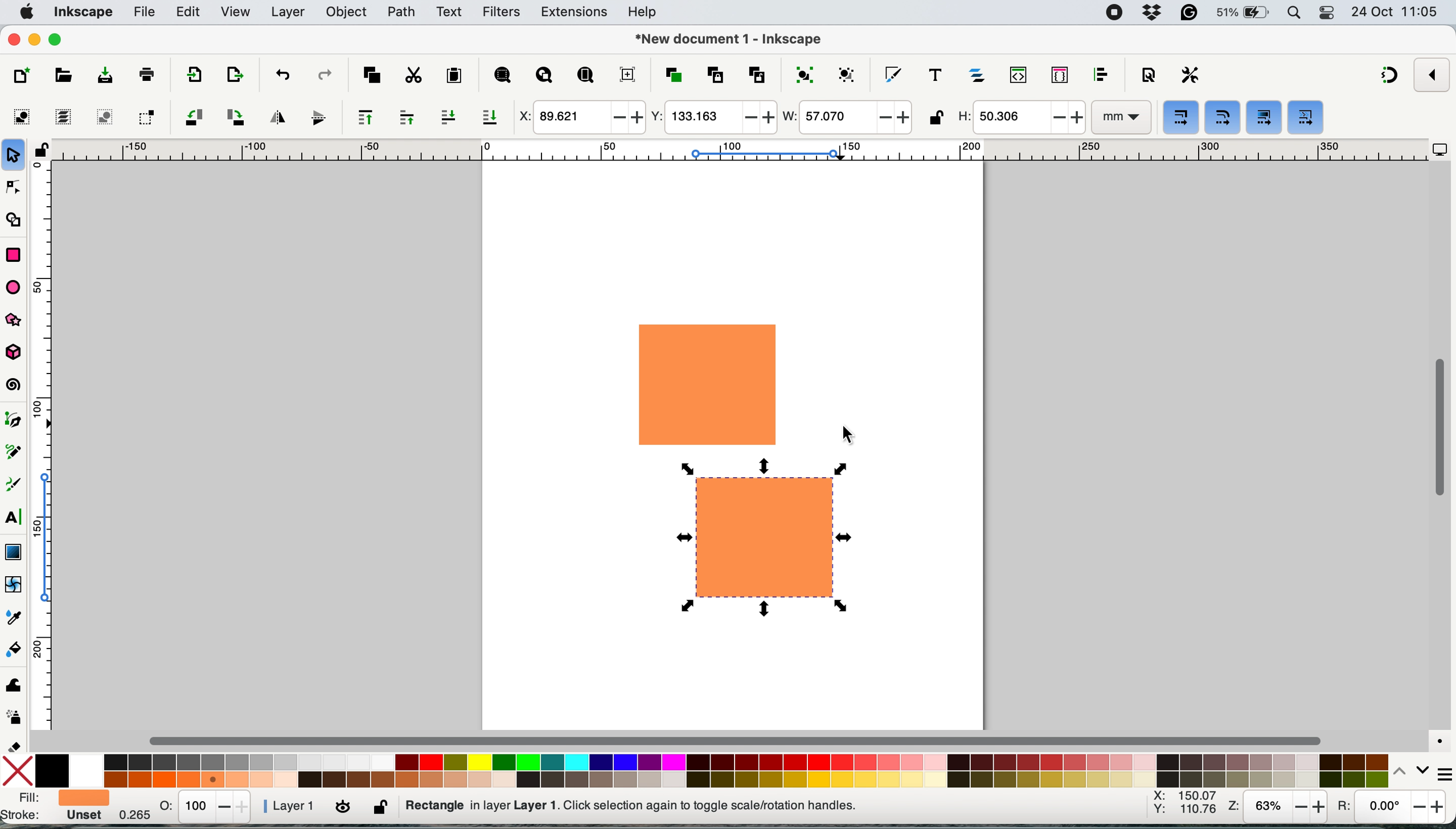 This screenshot has height=829, width=1456. Describe the element at coordinates (1389, 810) in the screenshot. I see `rotation` at that location.